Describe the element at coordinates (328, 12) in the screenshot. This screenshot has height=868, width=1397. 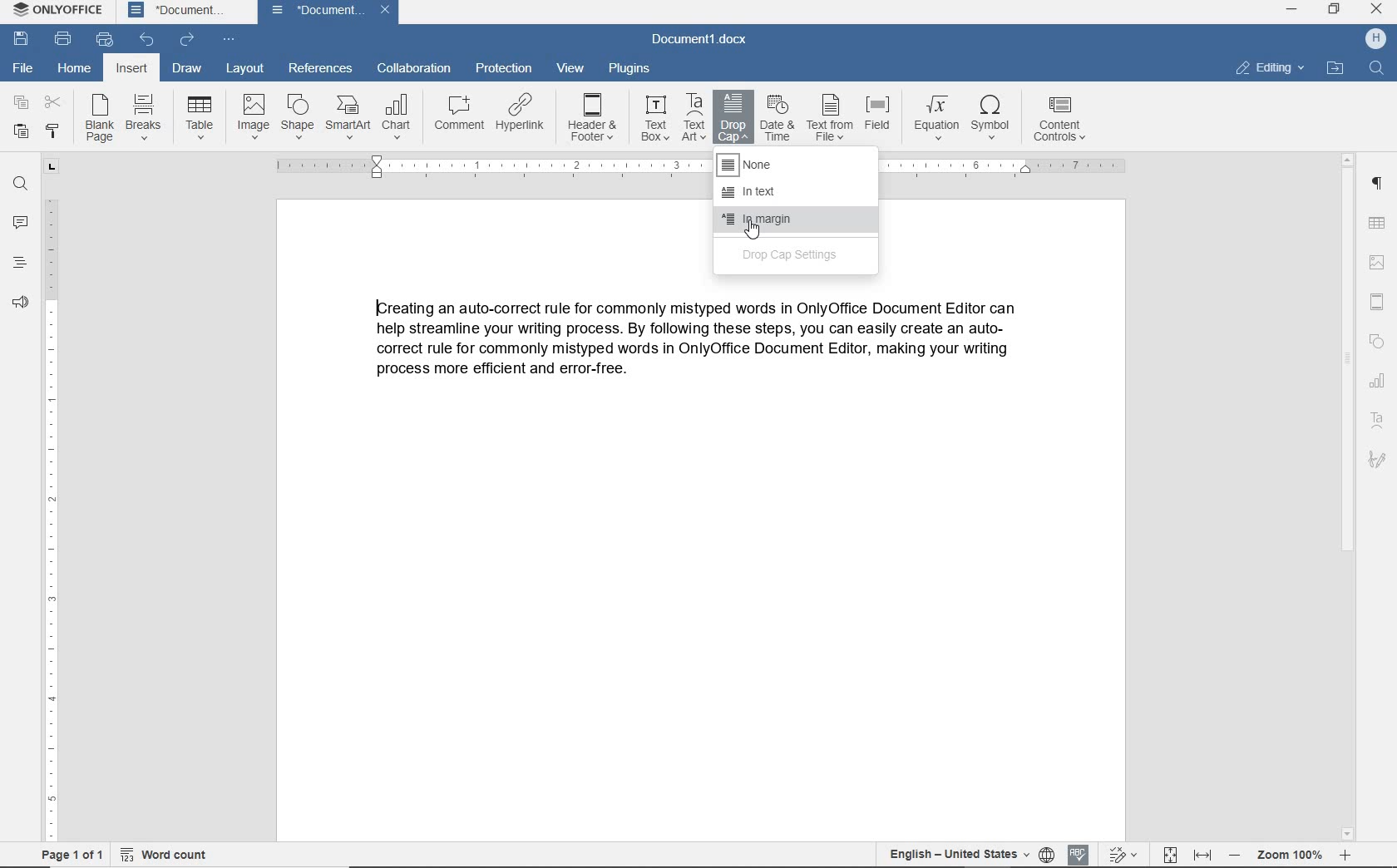
I see `document name` at that location.